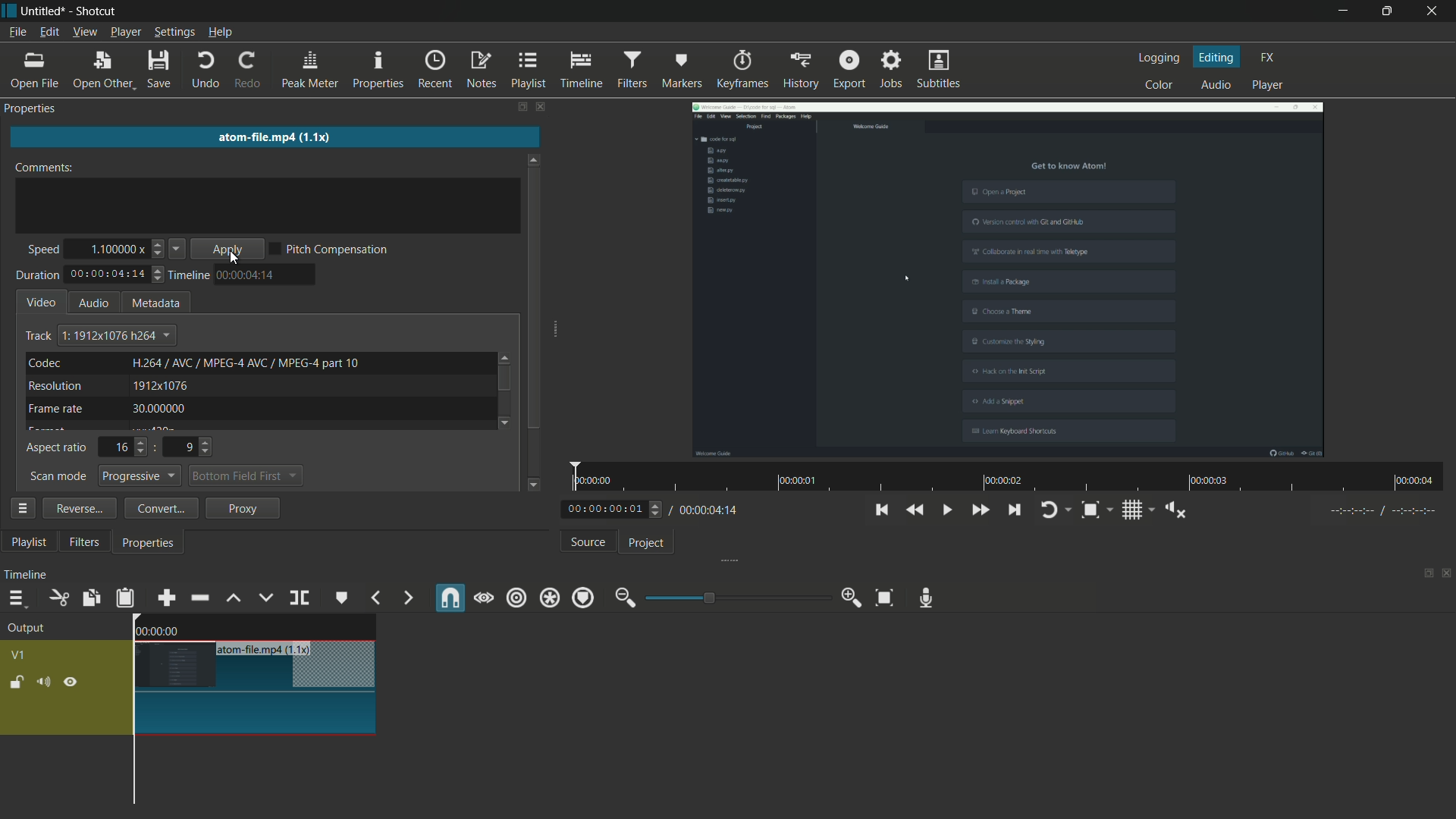 The image size is (1456, 819). What do you see at coordinates (16, 598) in the screenshot?
I see `timeline menu` at bounding box center [16, 598].